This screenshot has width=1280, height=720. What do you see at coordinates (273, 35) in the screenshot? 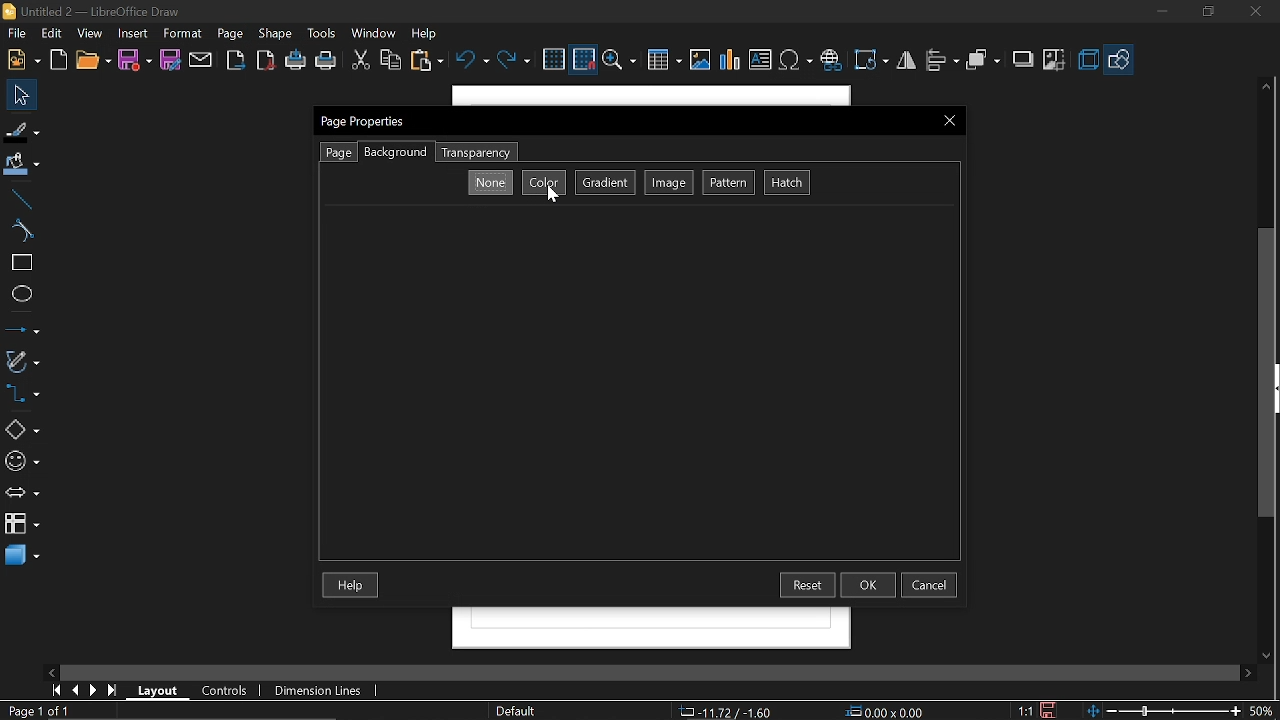
I see `Shape` at bounding box center [273, 35].